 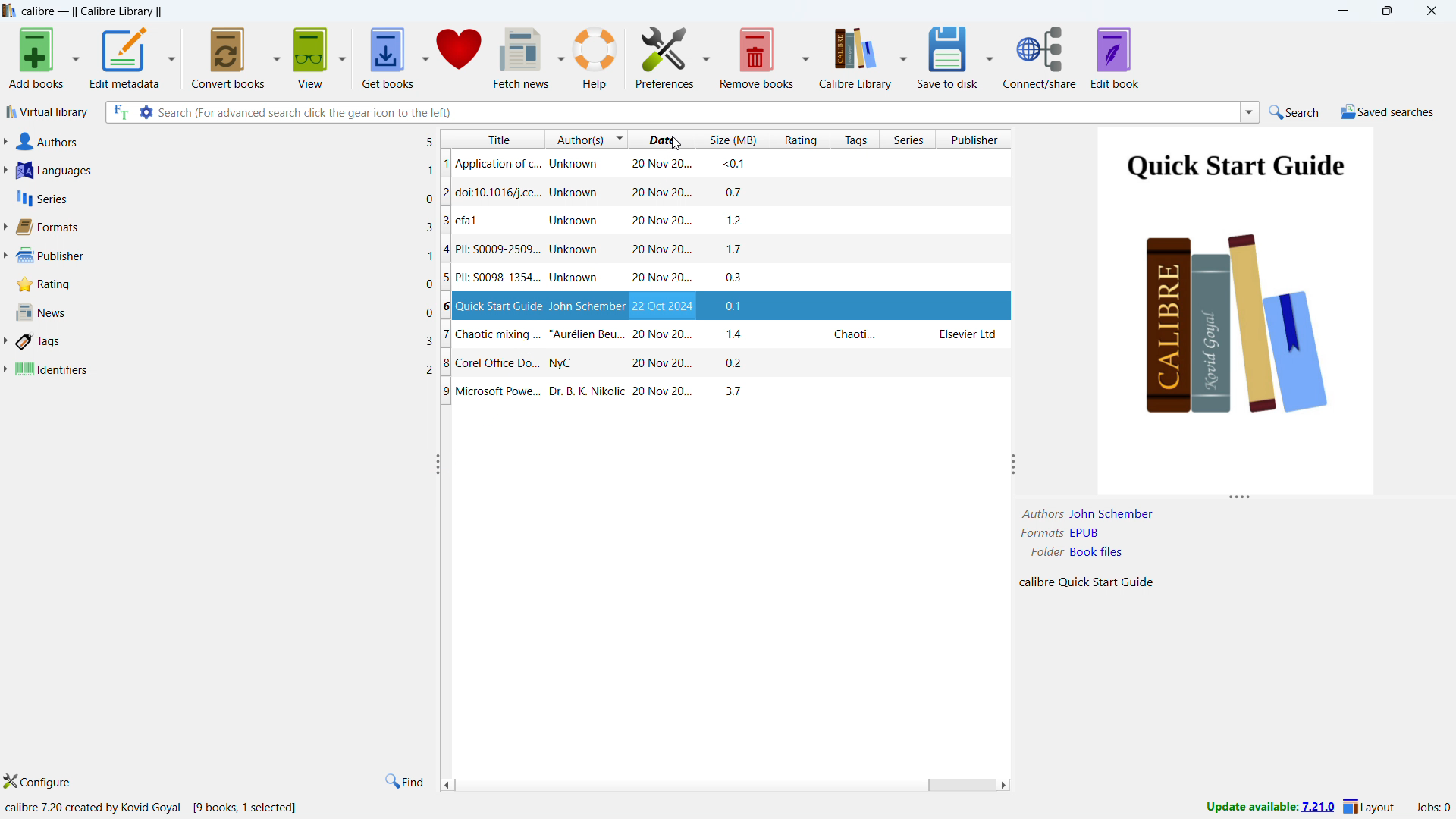 I want to click on edit books, so click(x=1115, y=58).